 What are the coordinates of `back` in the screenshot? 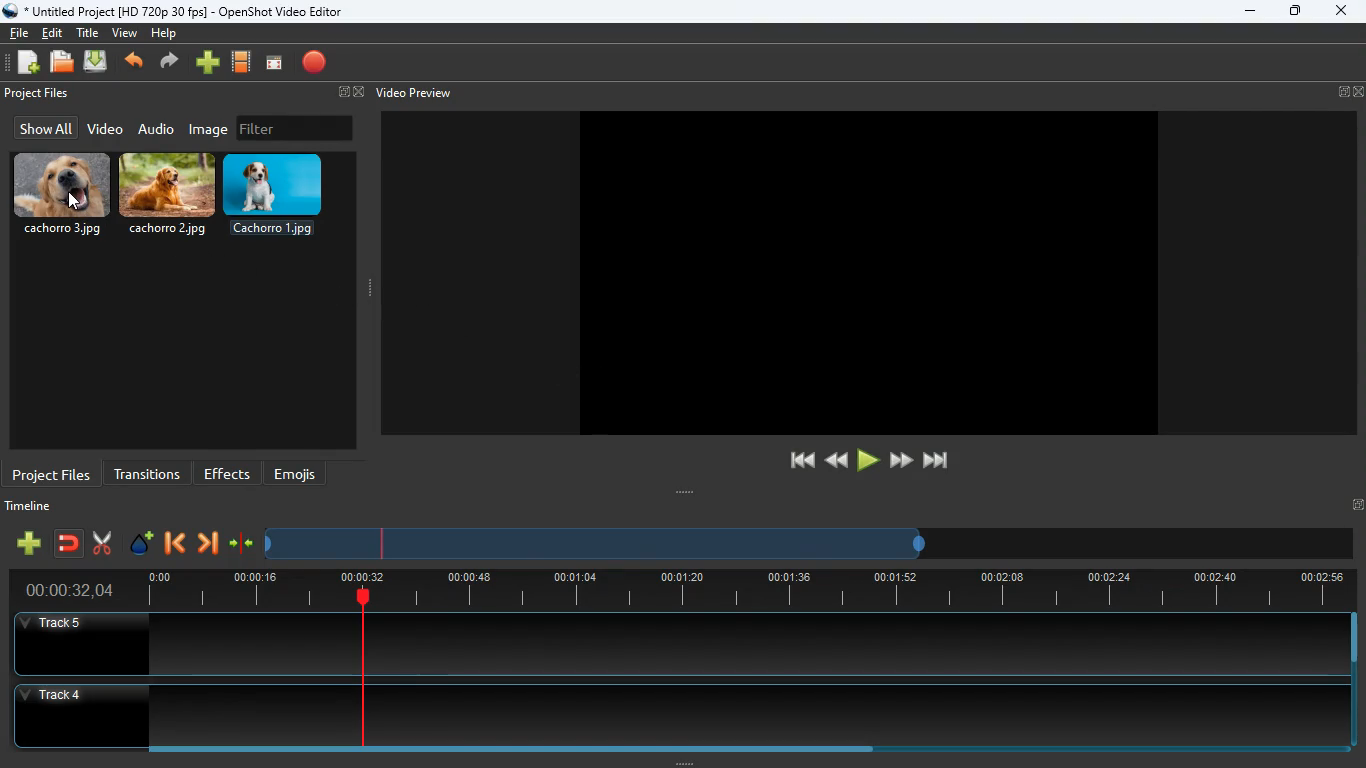 It's located at (136, 63).